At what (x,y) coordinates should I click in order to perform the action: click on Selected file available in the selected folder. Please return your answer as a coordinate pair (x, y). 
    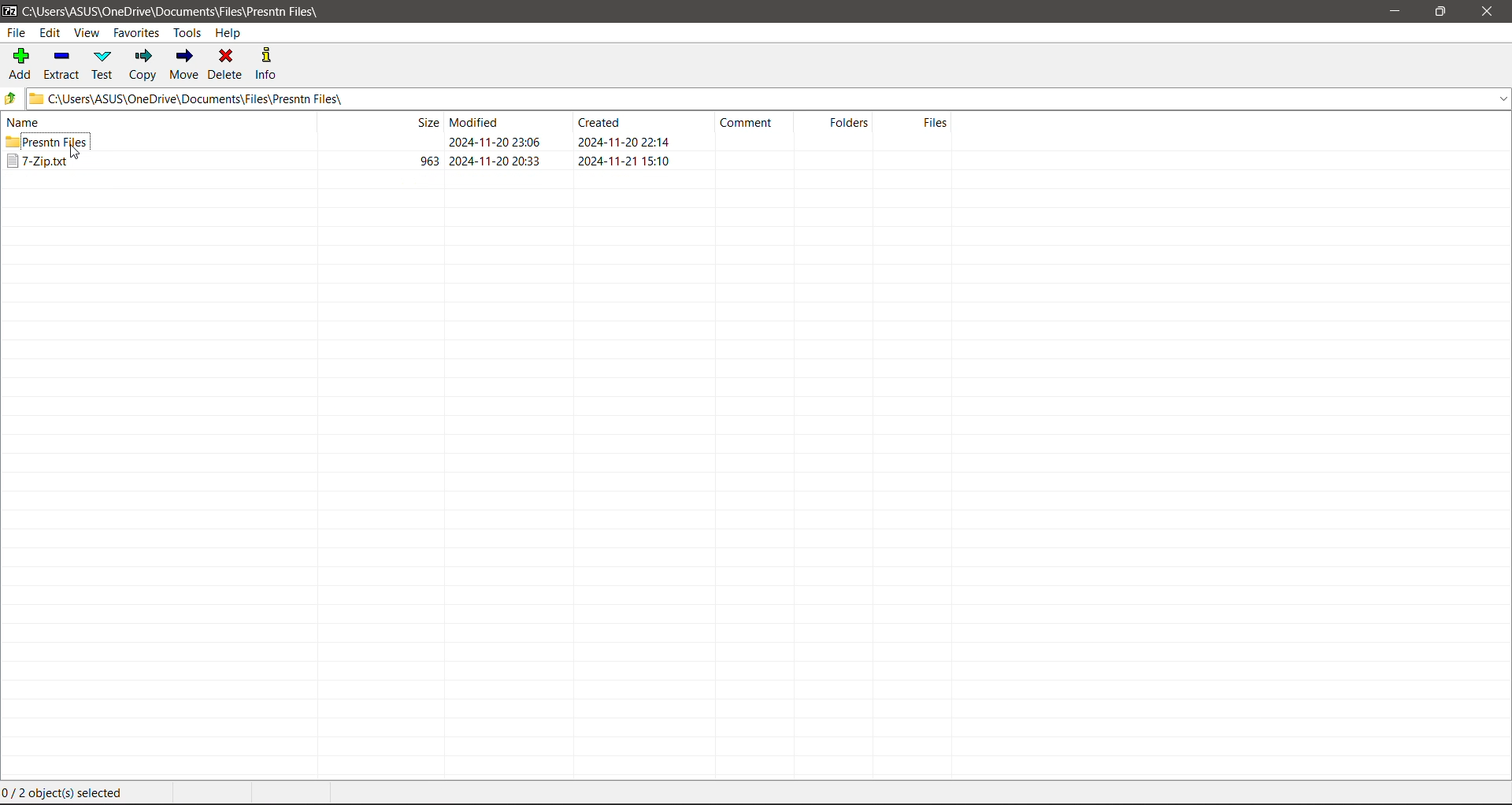
    Looking at the image, I should click on (479, 161).